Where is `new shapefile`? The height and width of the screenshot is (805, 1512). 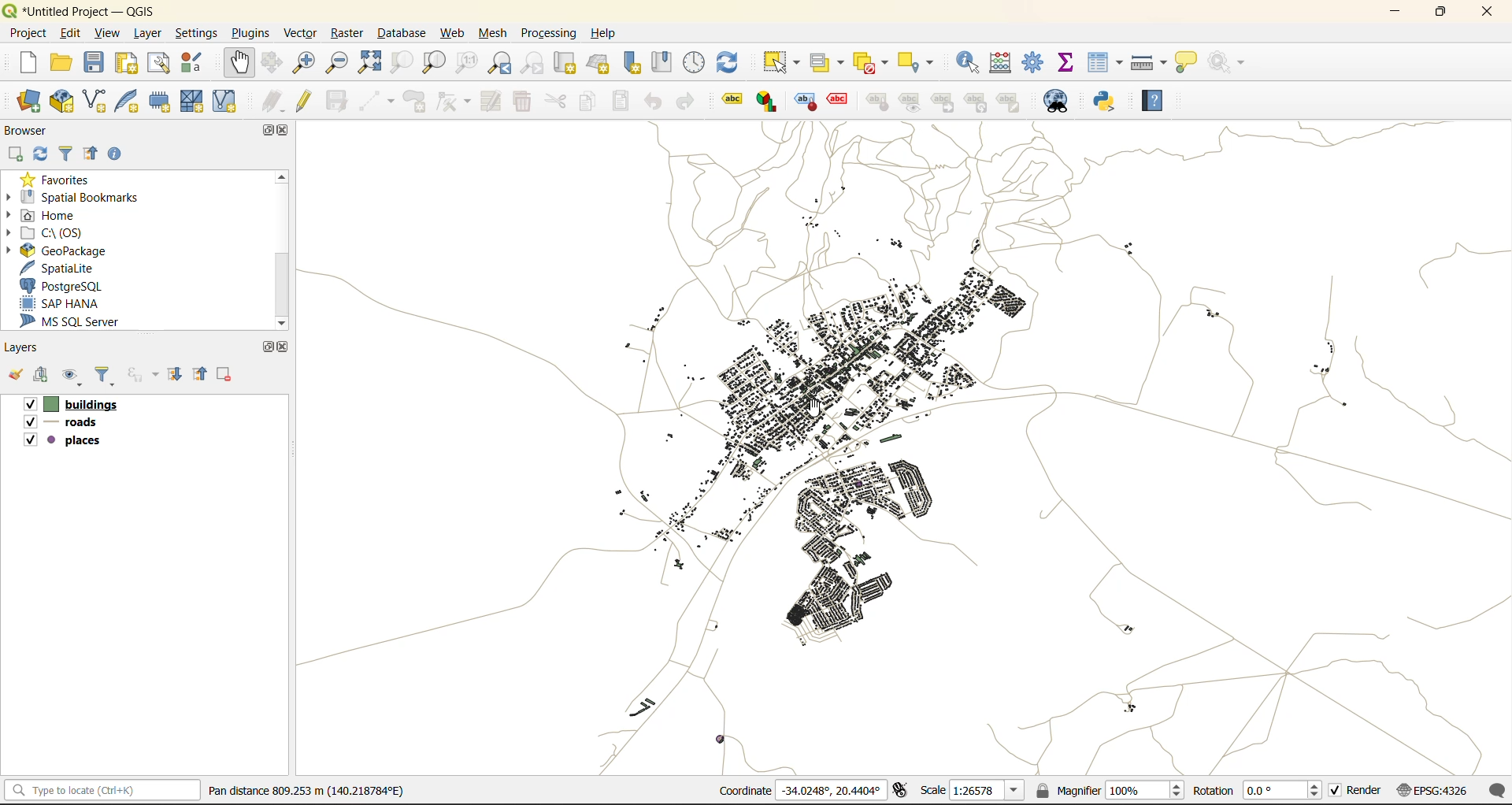 new shapefile is located at coordinates (98, 100).